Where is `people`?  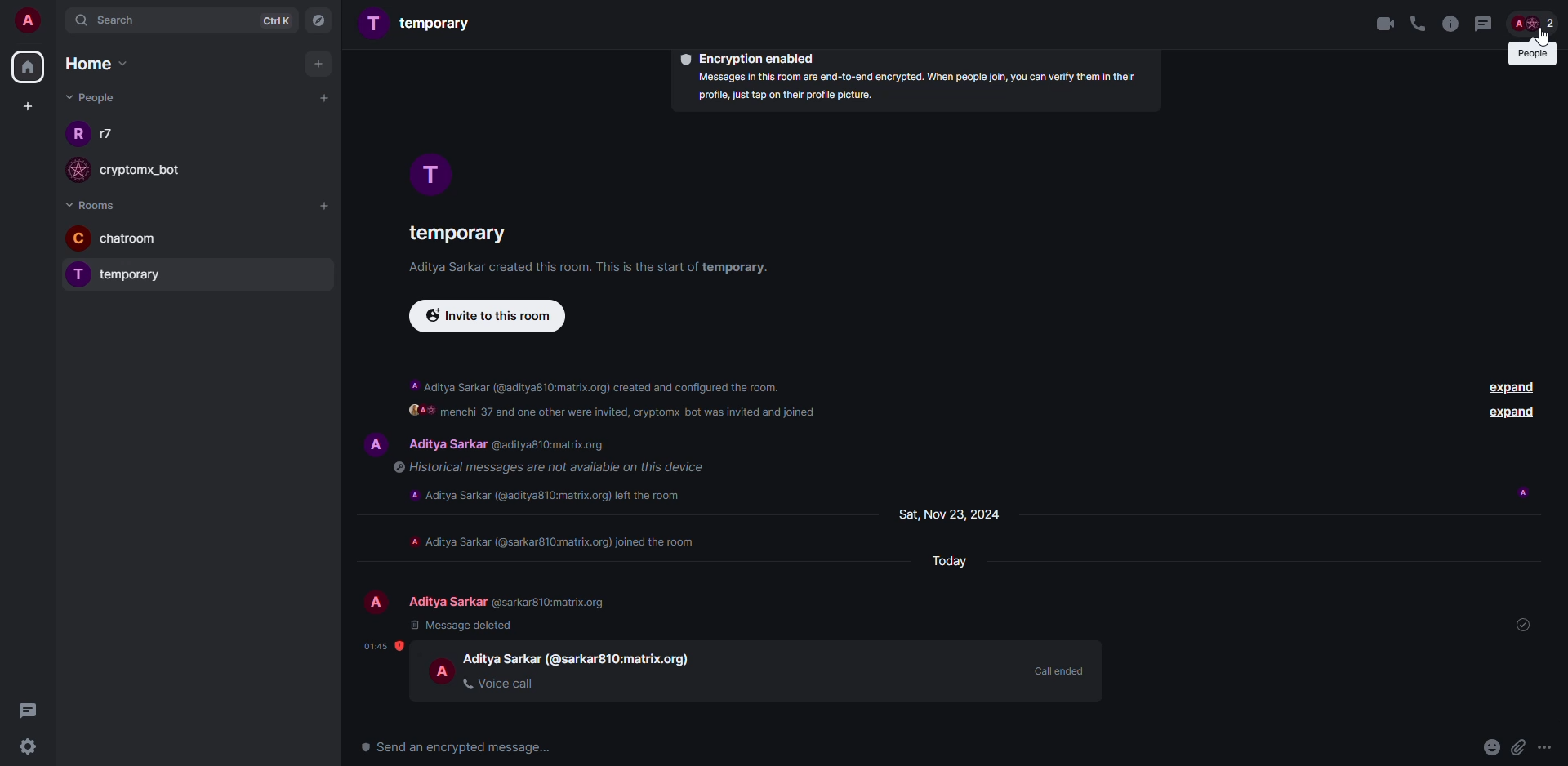 people is located at coordinates (111, 135).